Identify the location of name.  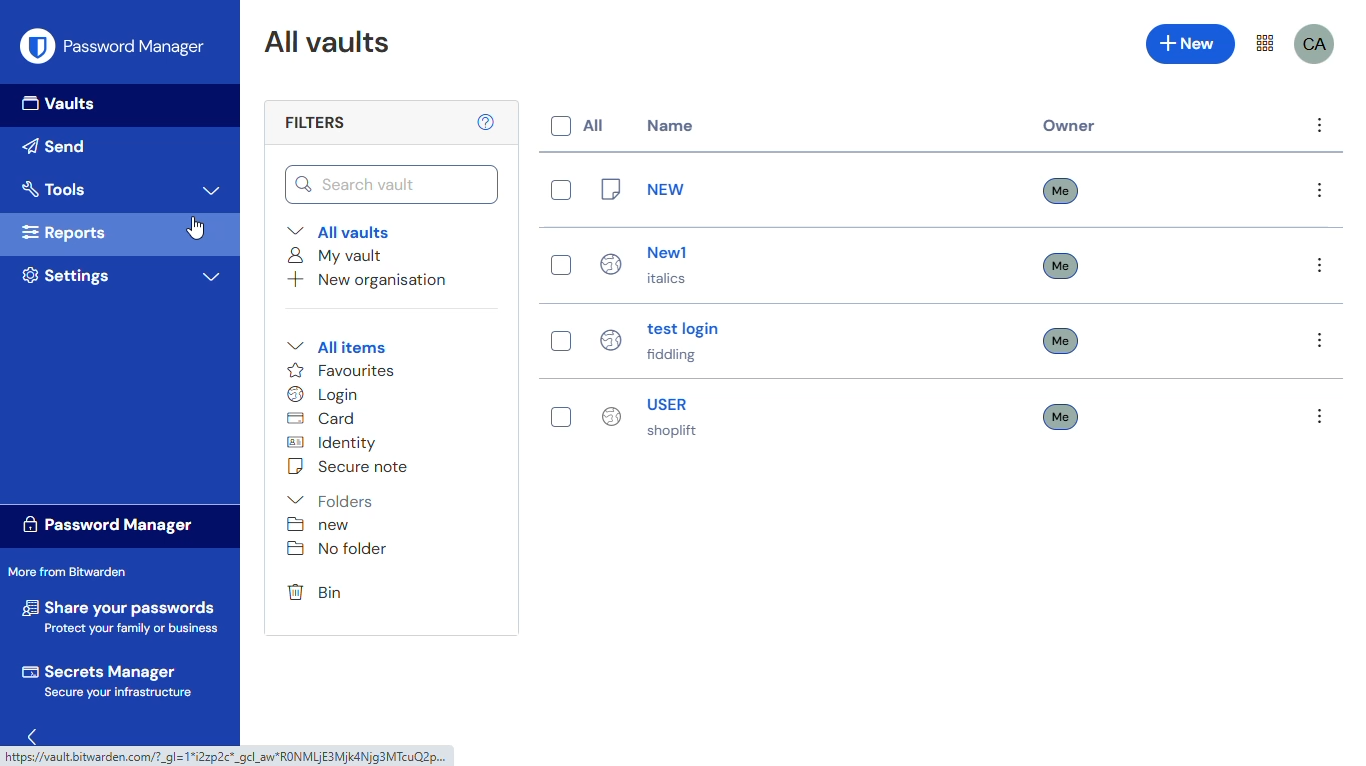
(669, 125).